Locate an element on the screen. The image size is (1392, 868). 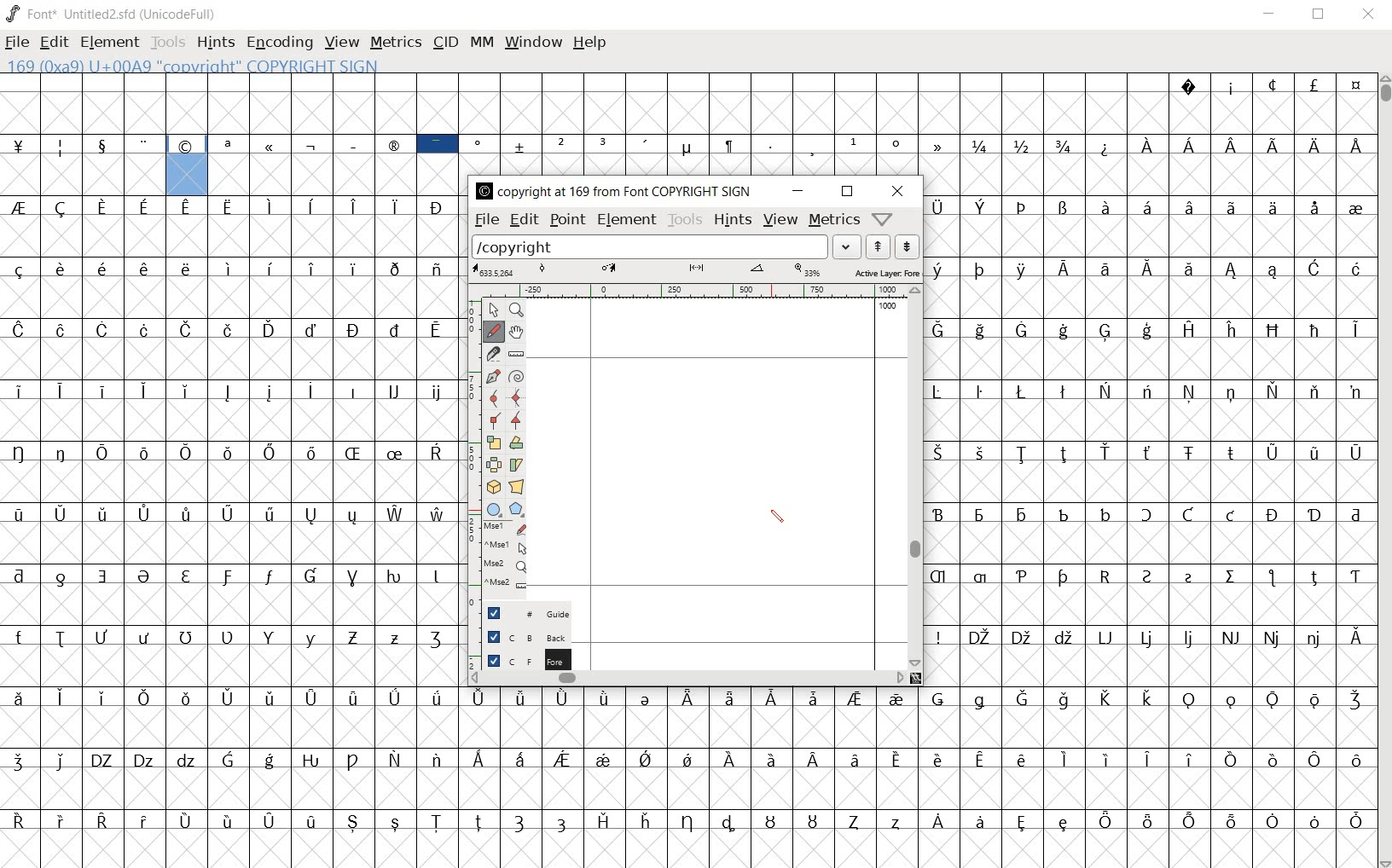
cid is located at coordinates (444, 43).